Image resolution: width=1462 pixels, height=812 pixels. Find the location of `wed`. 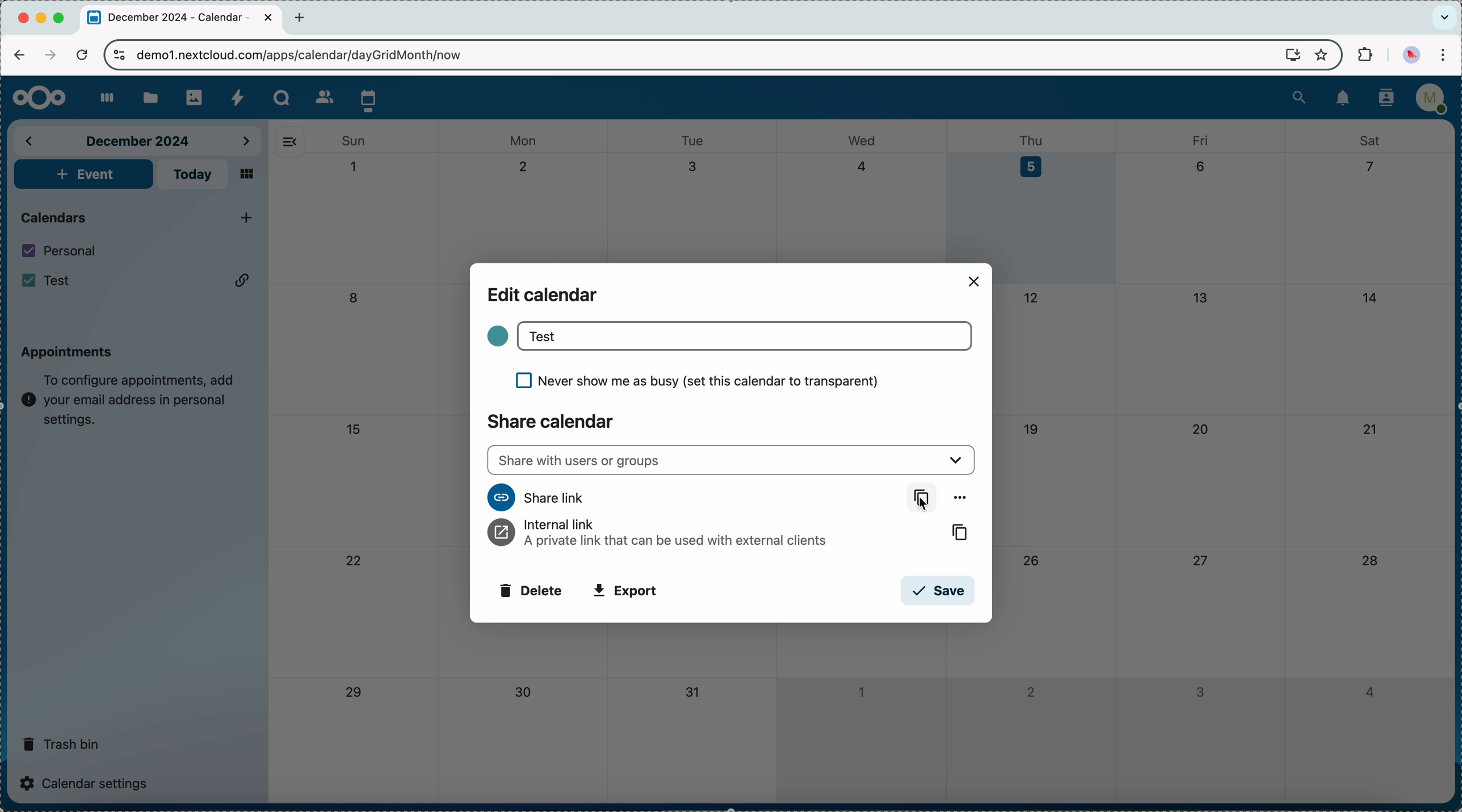

wed is located at coordinates (863, 140).